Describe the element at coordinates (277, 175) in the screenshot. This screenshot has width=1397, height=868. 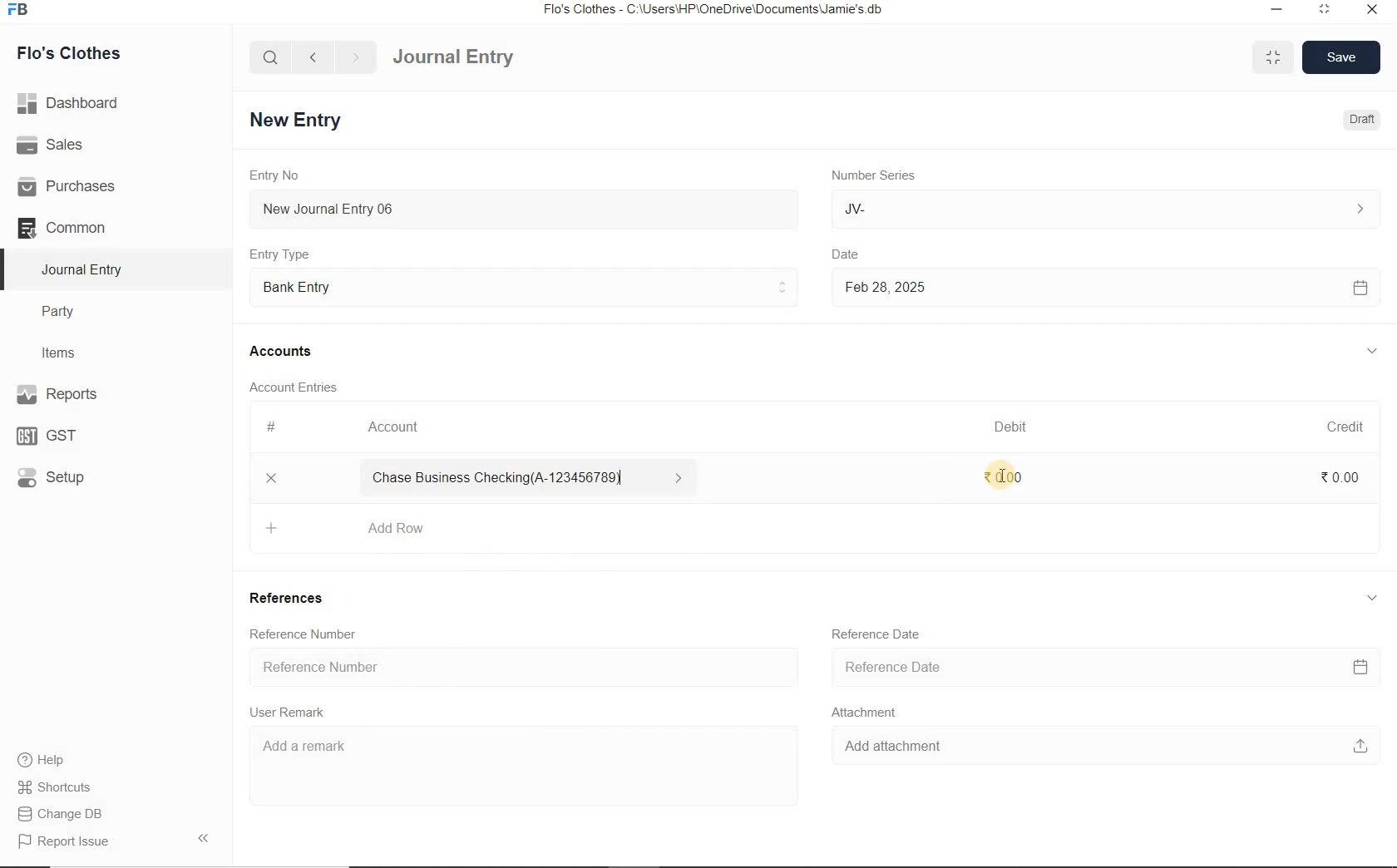
I see `Entry No` at that location.